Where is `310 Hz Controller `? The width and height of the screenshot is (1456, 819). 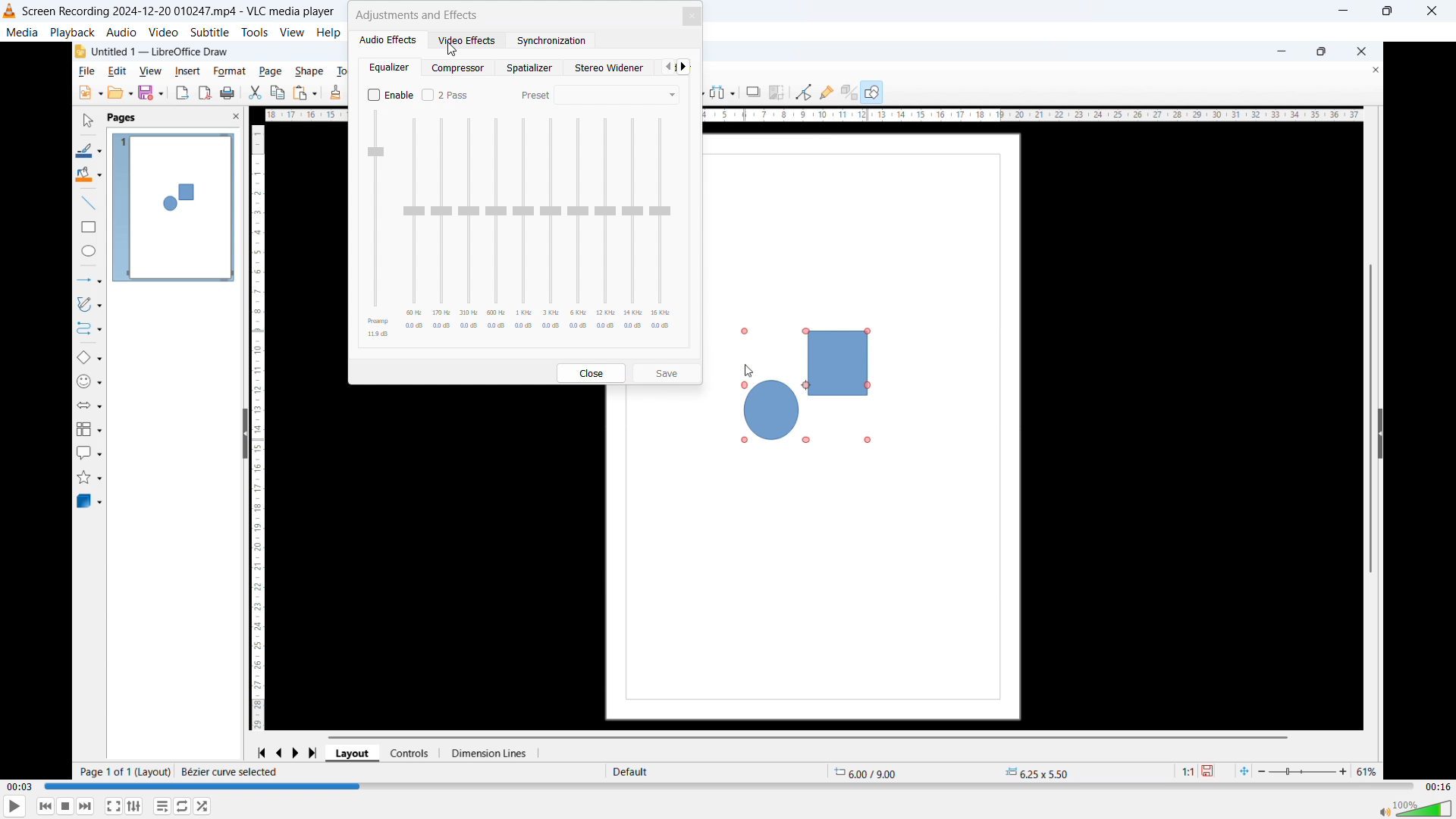
310 Hz Controller  is located at coordinates (469, 226).